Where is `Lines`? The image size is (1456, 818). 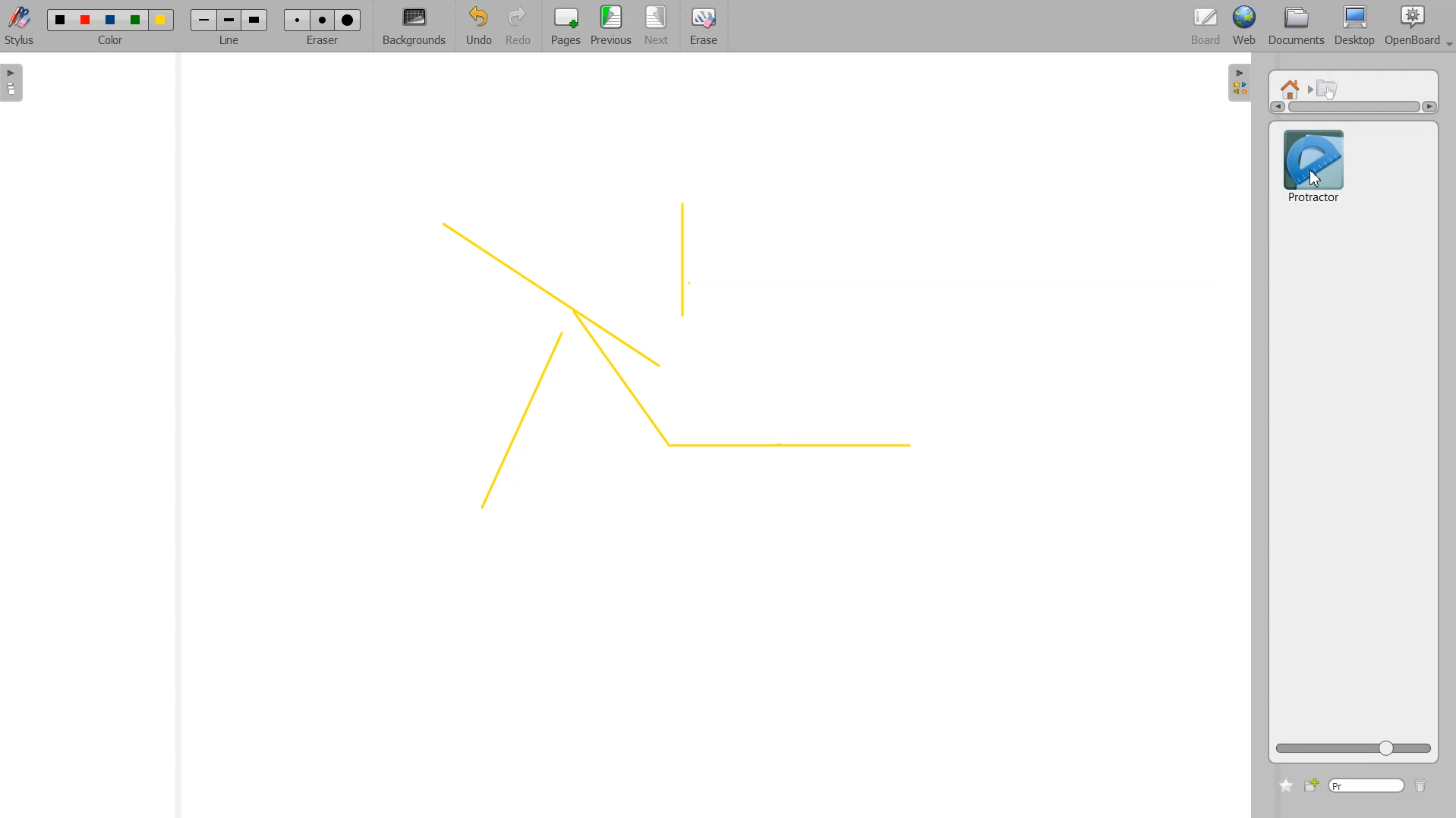 Lines is located at coordinates (670, 360).